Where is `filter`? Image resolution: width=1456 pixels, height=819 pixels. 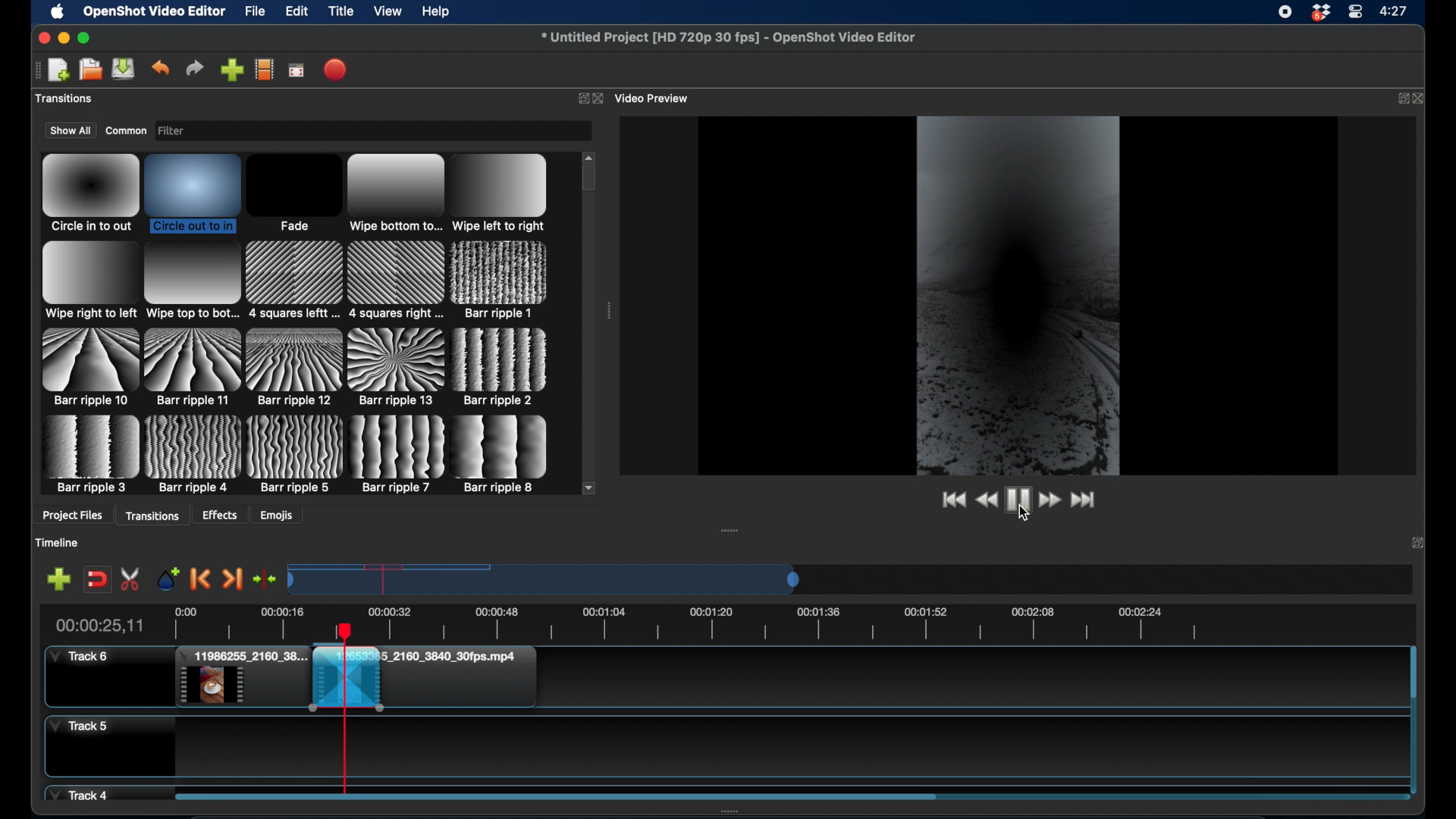
filter is located at coordinates (196, 131).